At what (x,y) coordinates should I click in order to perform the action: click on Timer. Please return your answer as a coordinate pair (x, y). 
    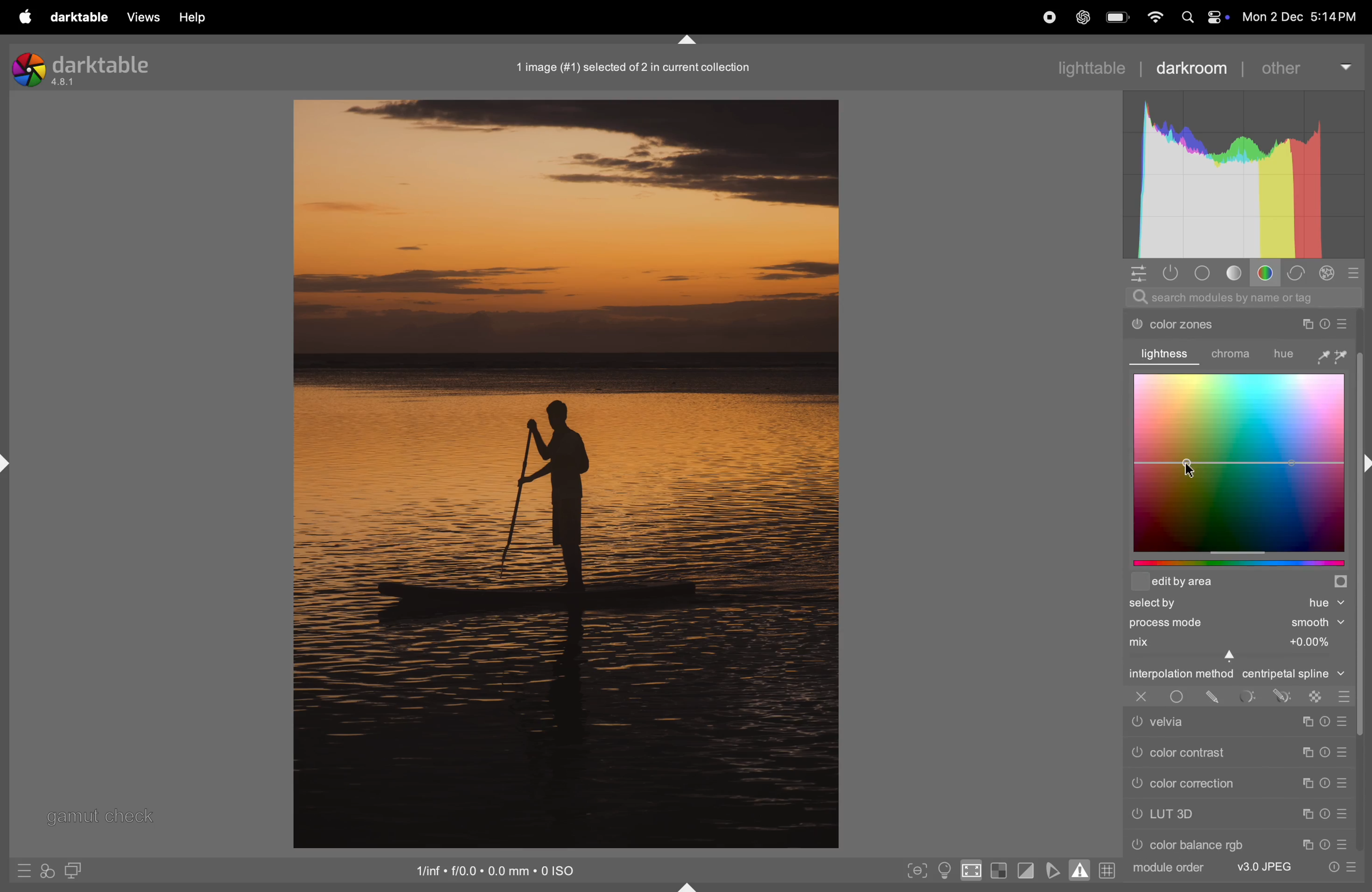
    Looking at the image, I should click on (1325, 814).